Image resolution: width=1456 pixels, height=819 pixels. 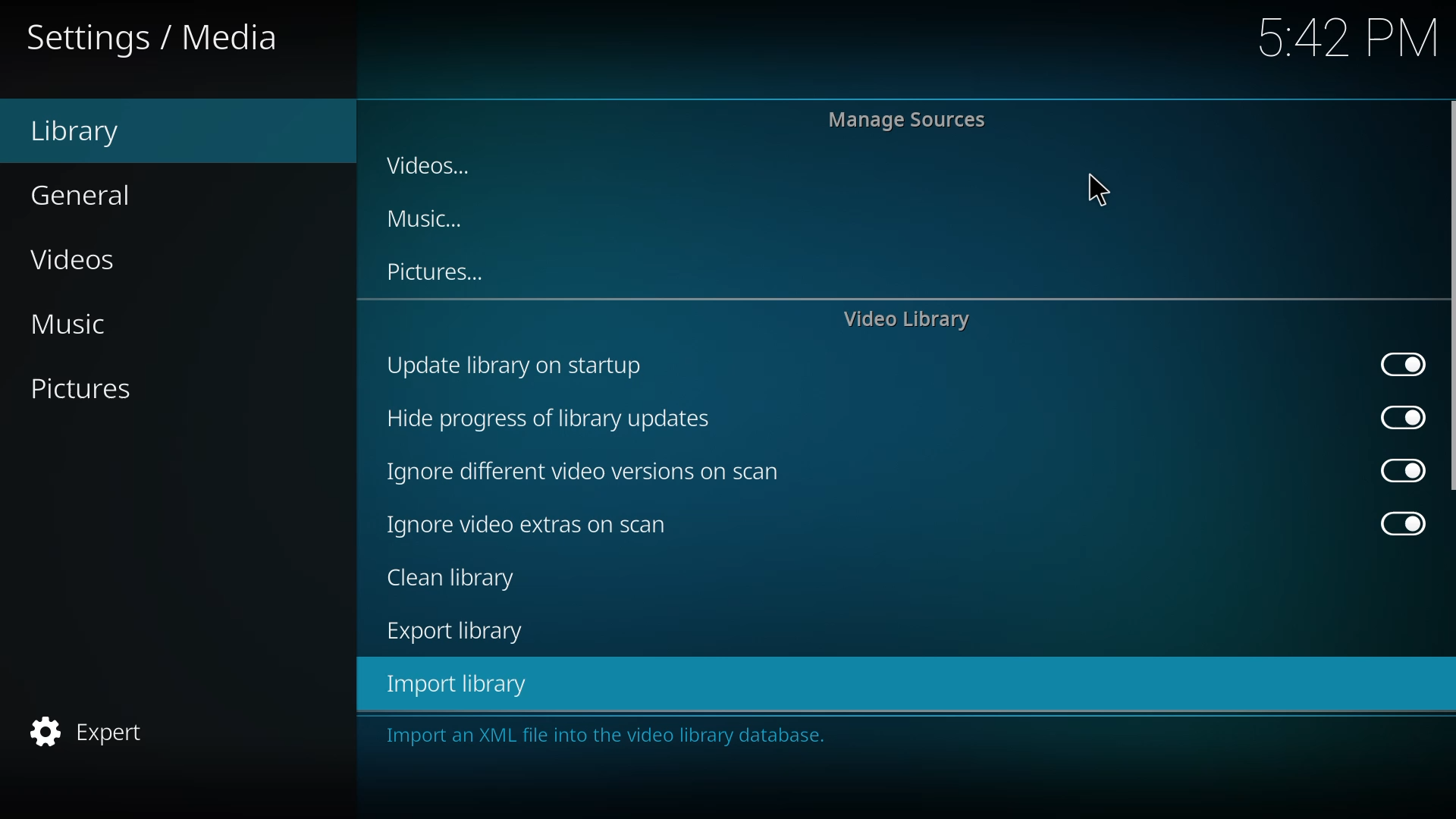 What do you see at coordinates (908, 322) in the screenshot?
I see `video` at bounding box center [908, 322].